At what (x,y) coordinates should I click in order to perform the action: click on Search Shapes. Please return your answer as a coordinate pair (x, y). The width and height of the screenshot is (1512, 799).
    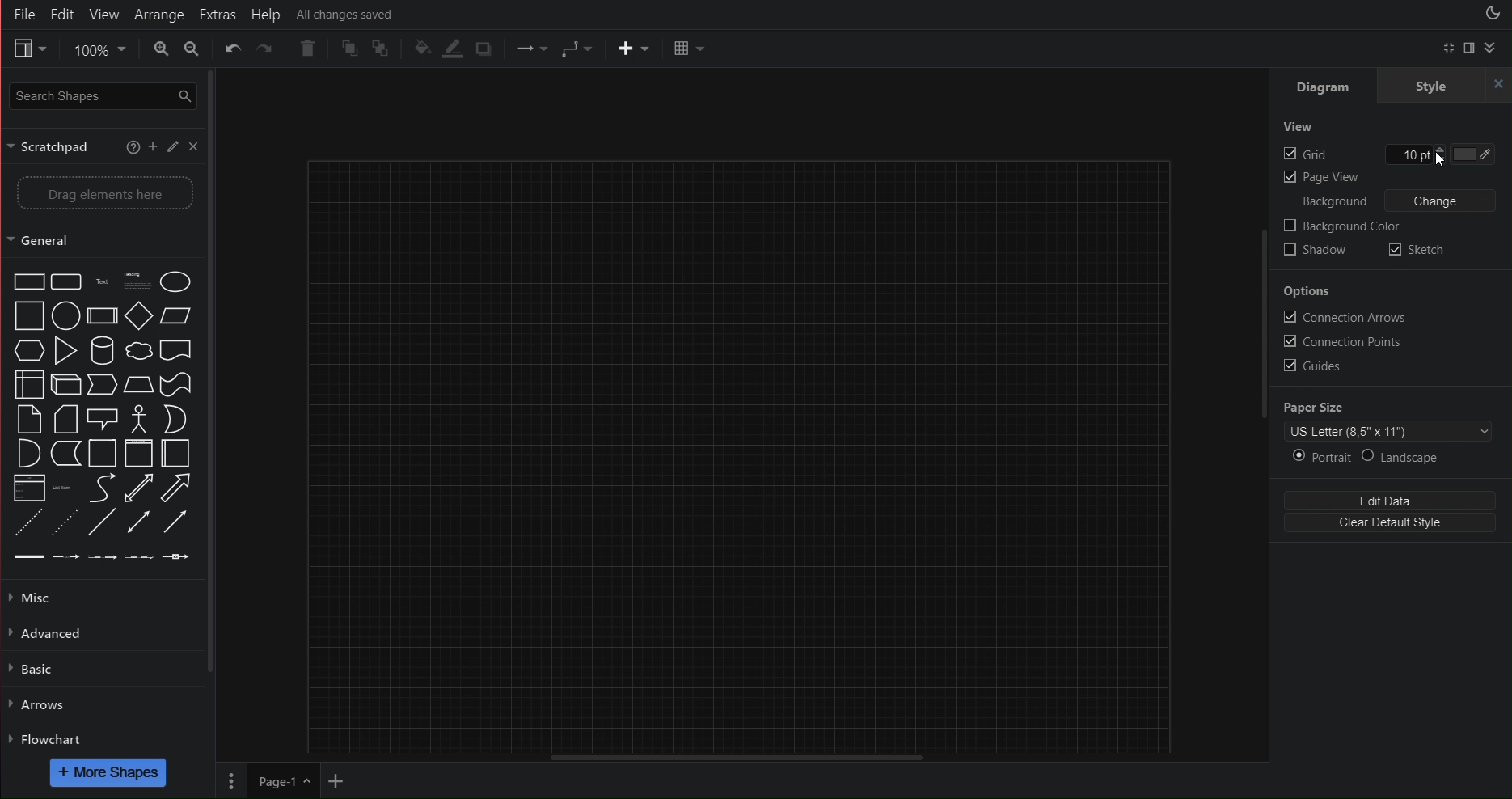
    Looking at the image, I should click on (100, 98).